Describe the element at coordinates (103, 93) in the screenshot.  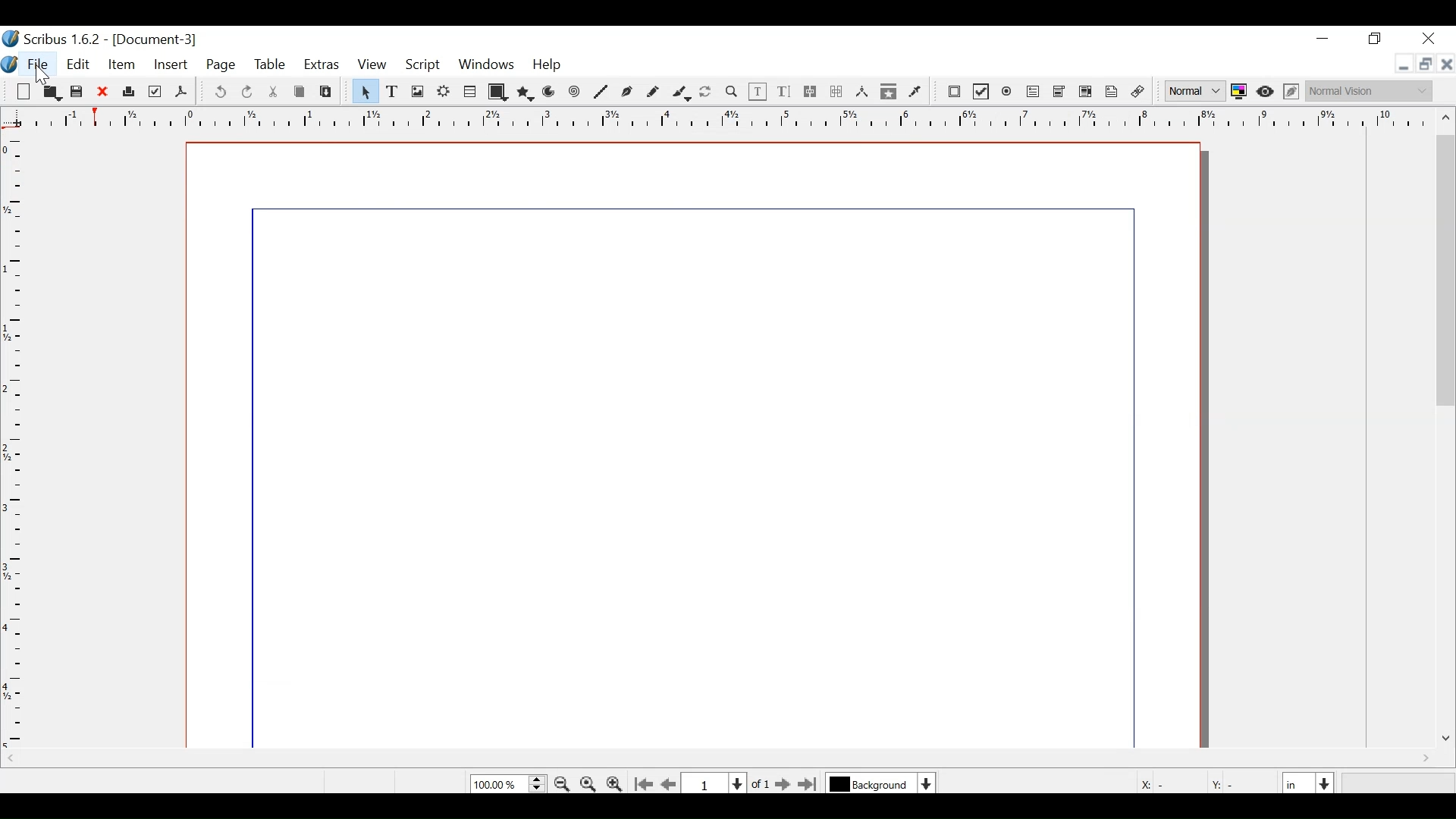
I see `Close` at that location.